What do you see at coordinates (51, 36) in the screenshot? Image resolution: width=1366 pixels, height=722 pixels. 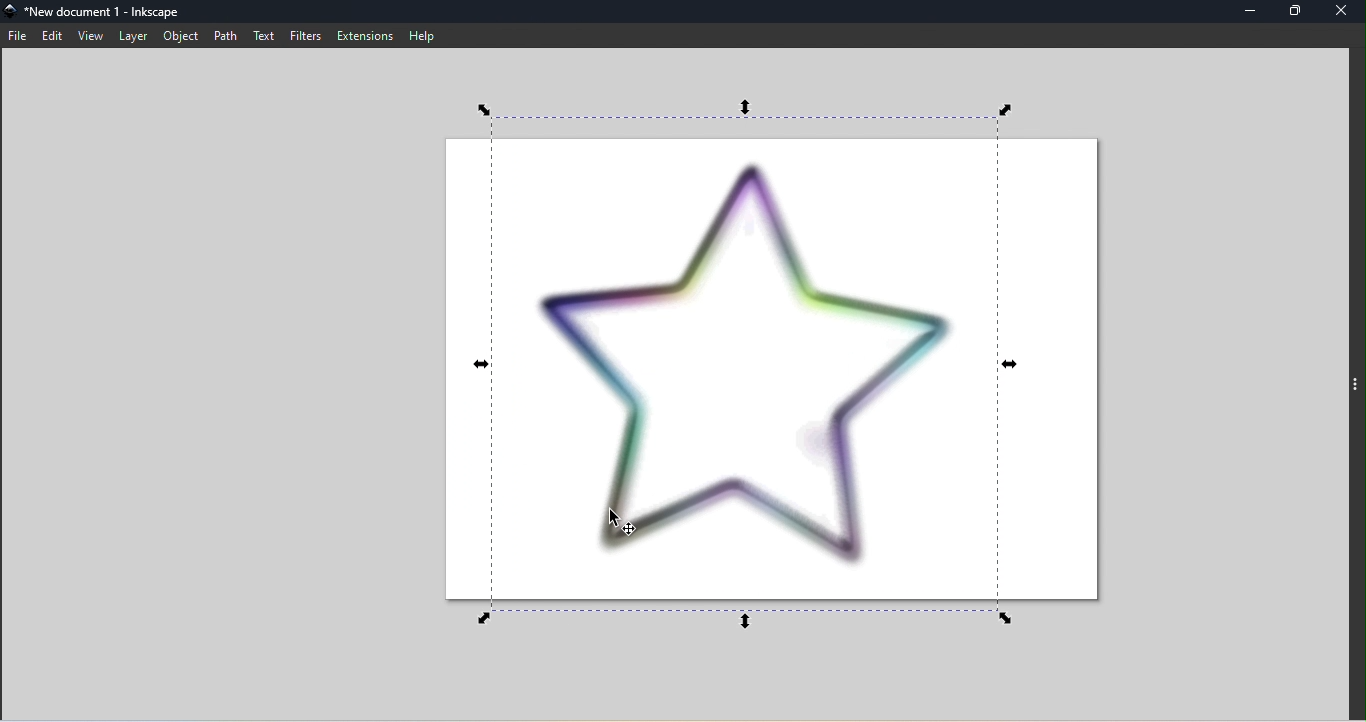 I see `Edit` at bounding box center [51, 36].